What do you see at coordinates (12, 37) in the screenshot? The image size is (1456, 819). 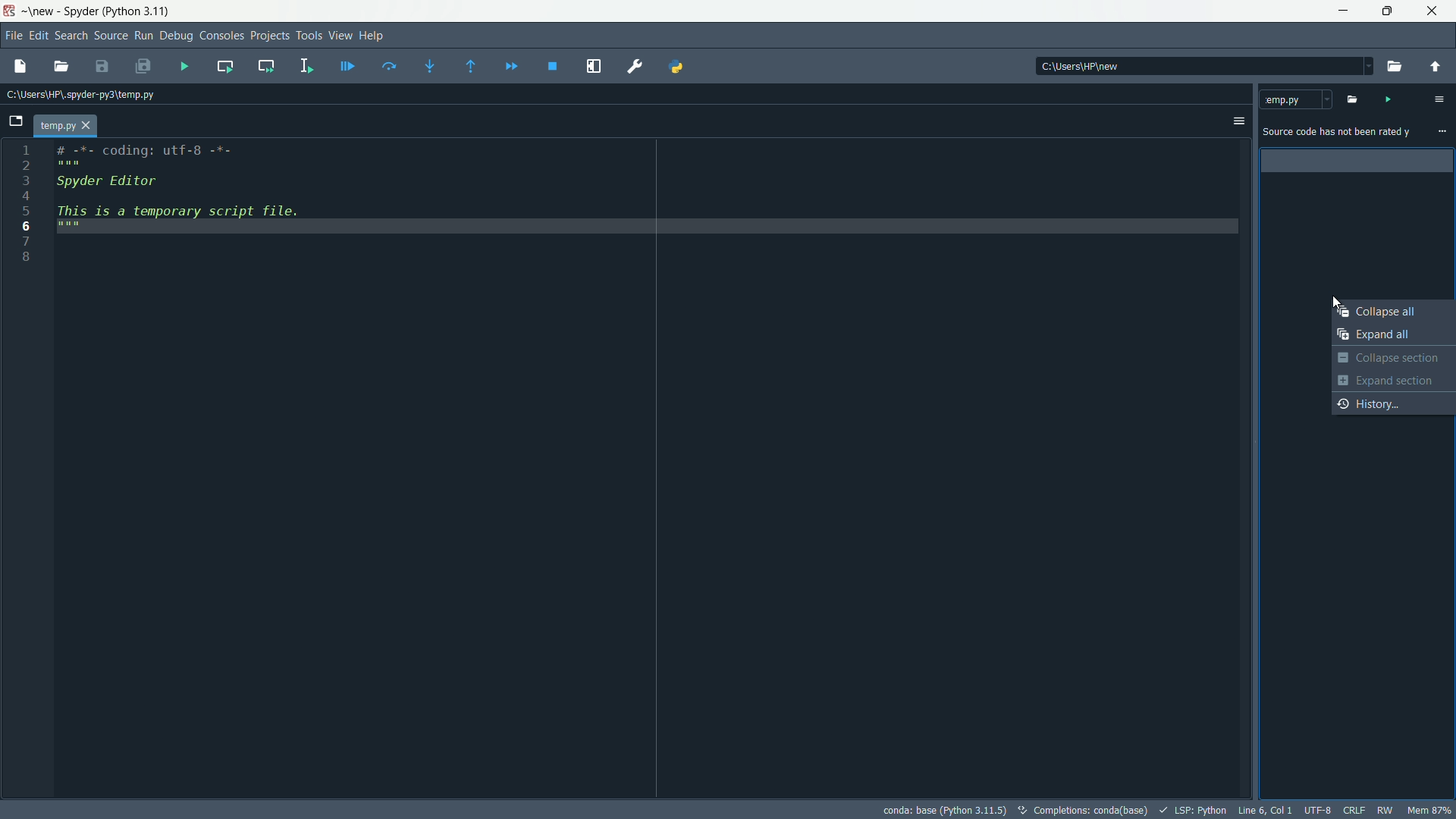 I see `file menu` at bounding box center [12, 37].